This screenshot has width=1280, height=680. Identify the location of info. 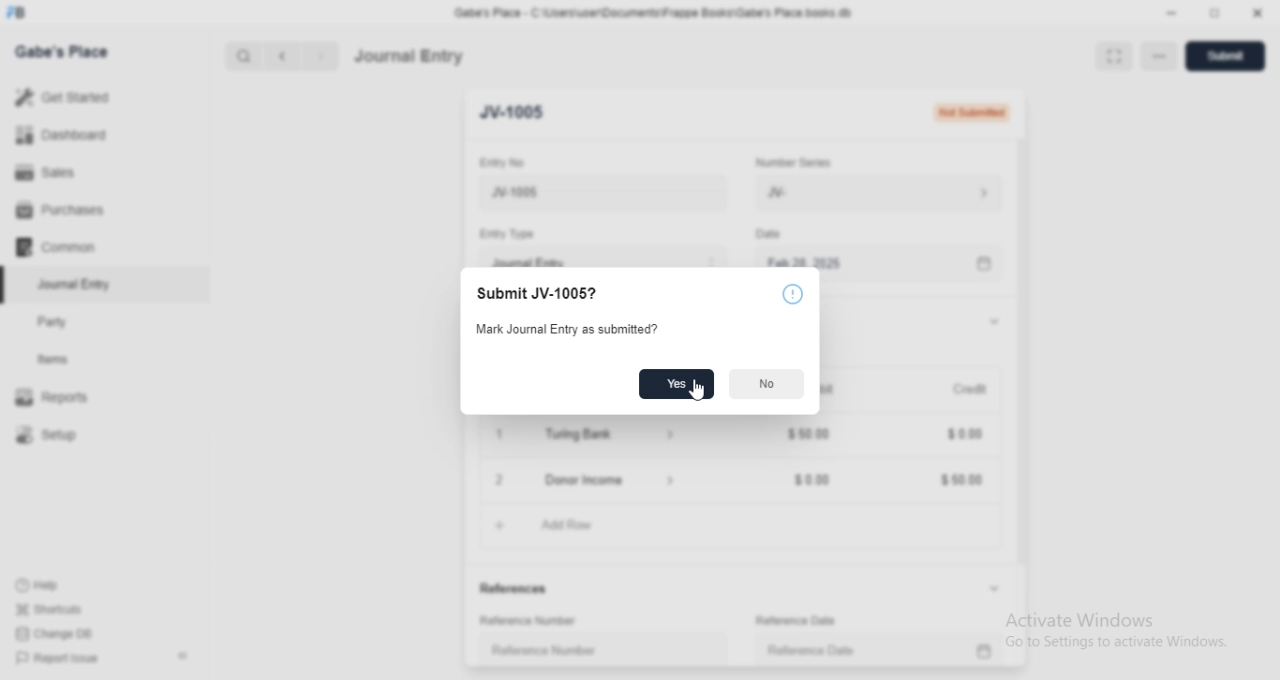
(792, 293).